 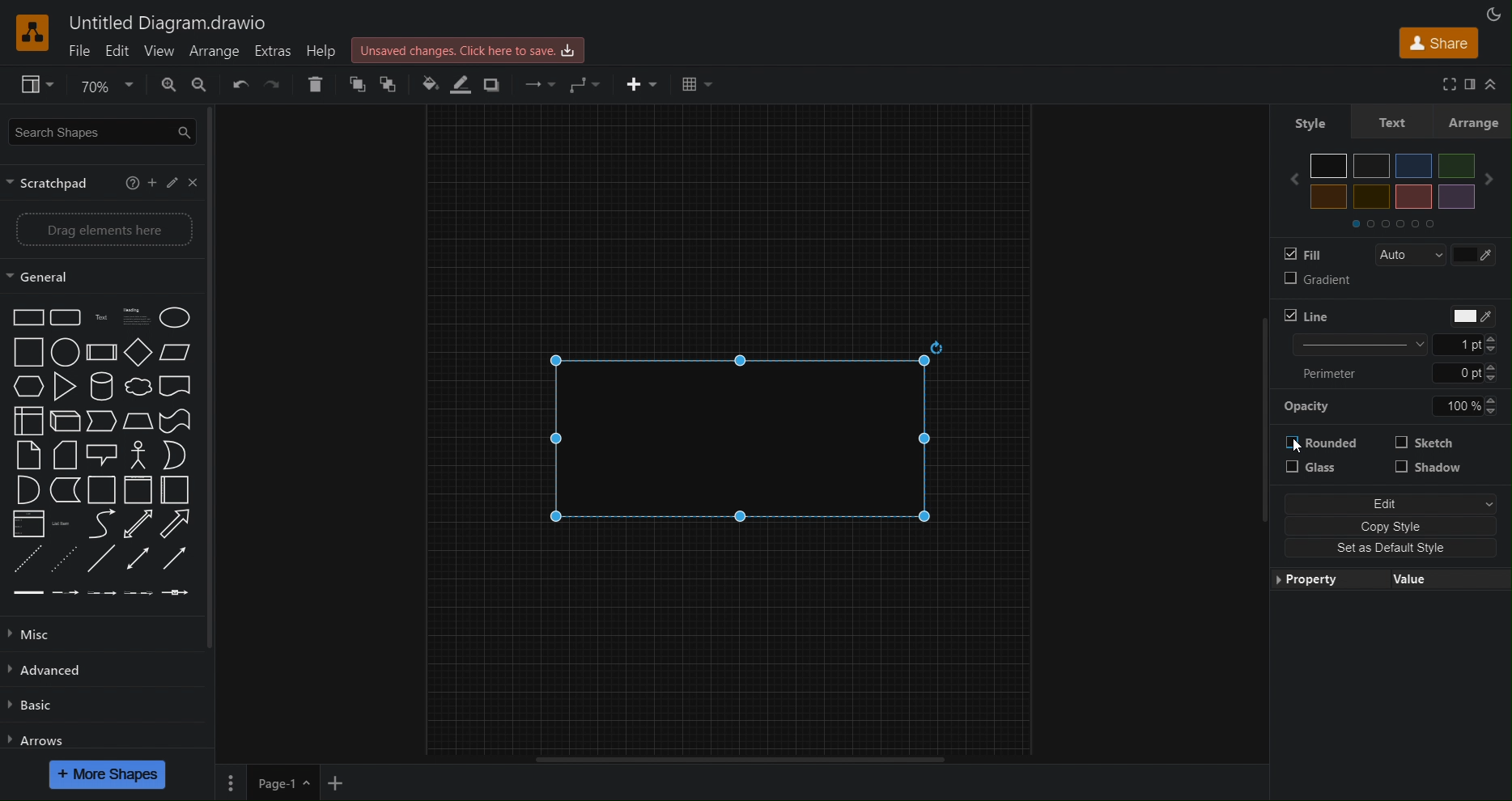 I want to click on Send Front, so click(x=390, y=85).